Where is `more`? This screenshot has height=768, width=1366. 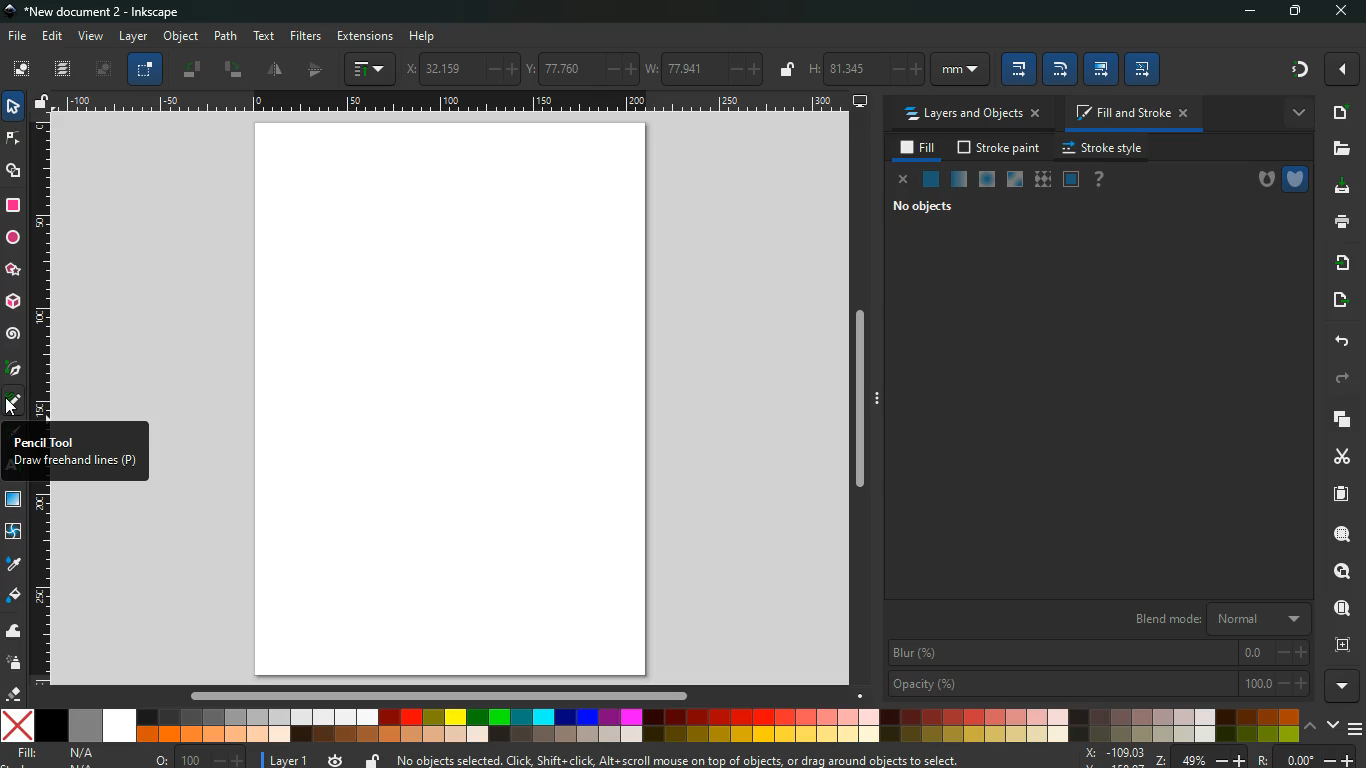 more is located at coordinates (1340, 68).